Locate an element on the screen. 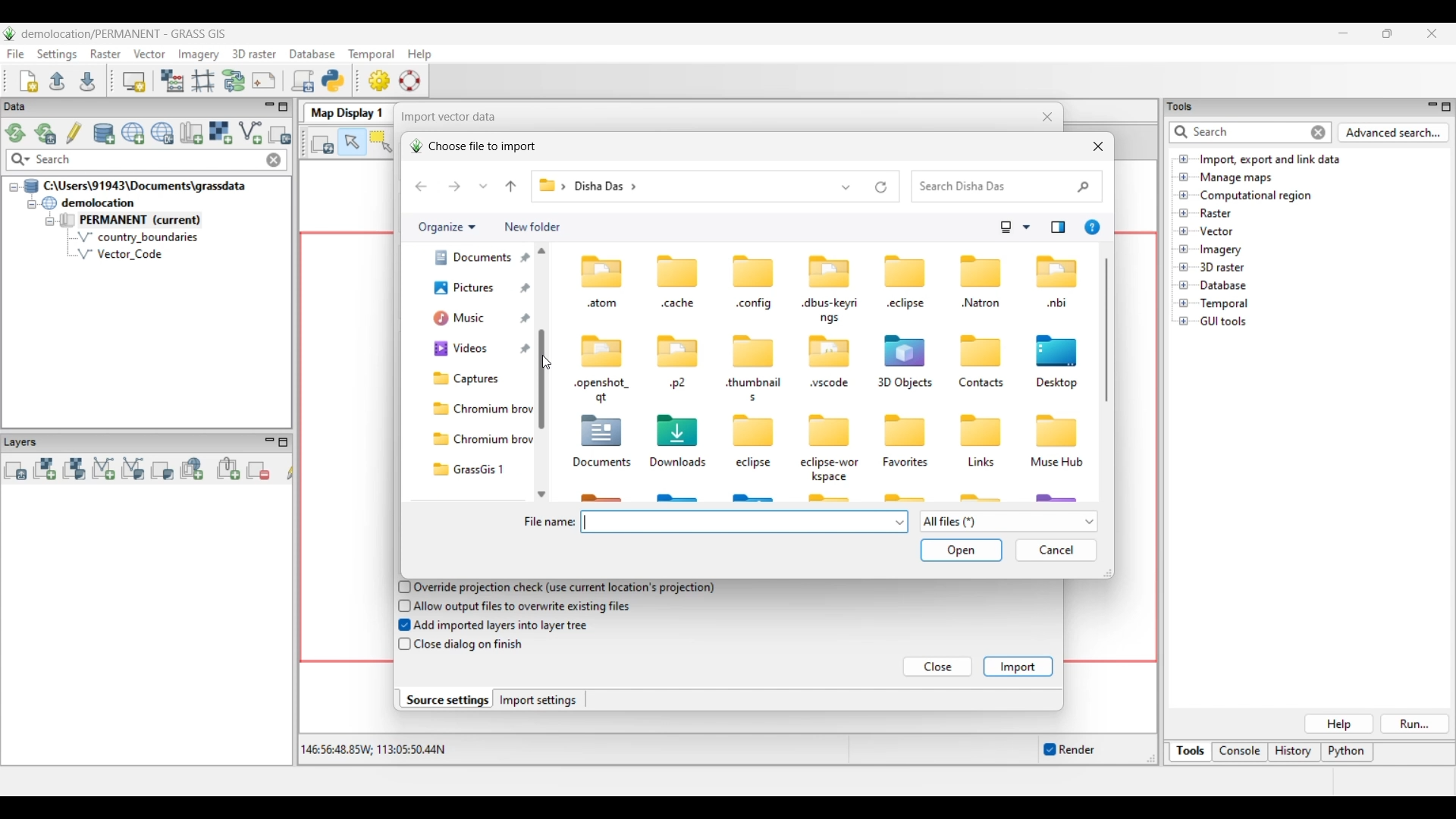 The width and height of the screenshot is (1456, 819). icon is located at coordinates (905, 271).